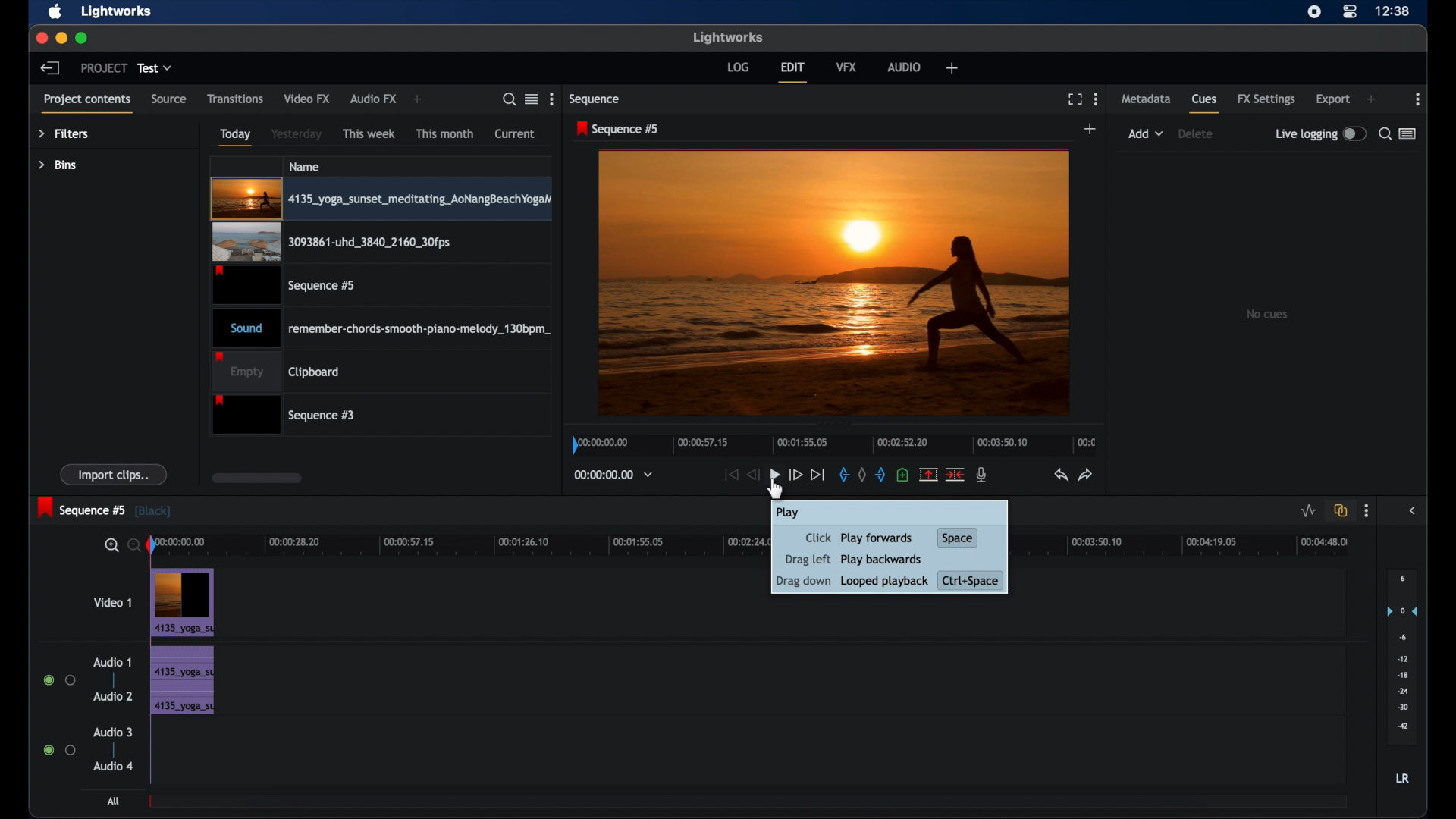 This screenshot has height=819, width=1456. What do you see at coordinates (728, 37) in the screenshot?
I see `lightworks` at bounding box center [728, 37].